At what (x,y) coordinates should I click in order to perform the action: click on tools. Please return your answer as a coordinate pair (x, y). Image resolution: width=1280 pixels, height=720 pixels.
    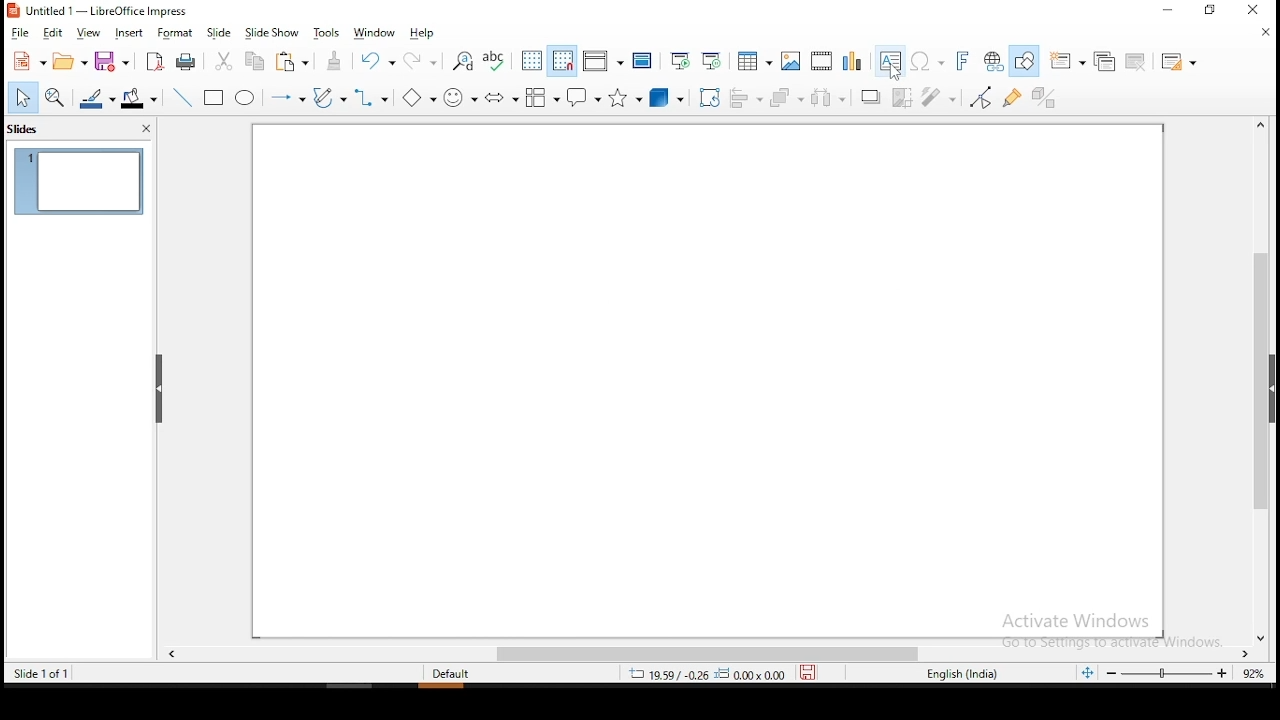
    Looking at the image, I should click on (327, 33).